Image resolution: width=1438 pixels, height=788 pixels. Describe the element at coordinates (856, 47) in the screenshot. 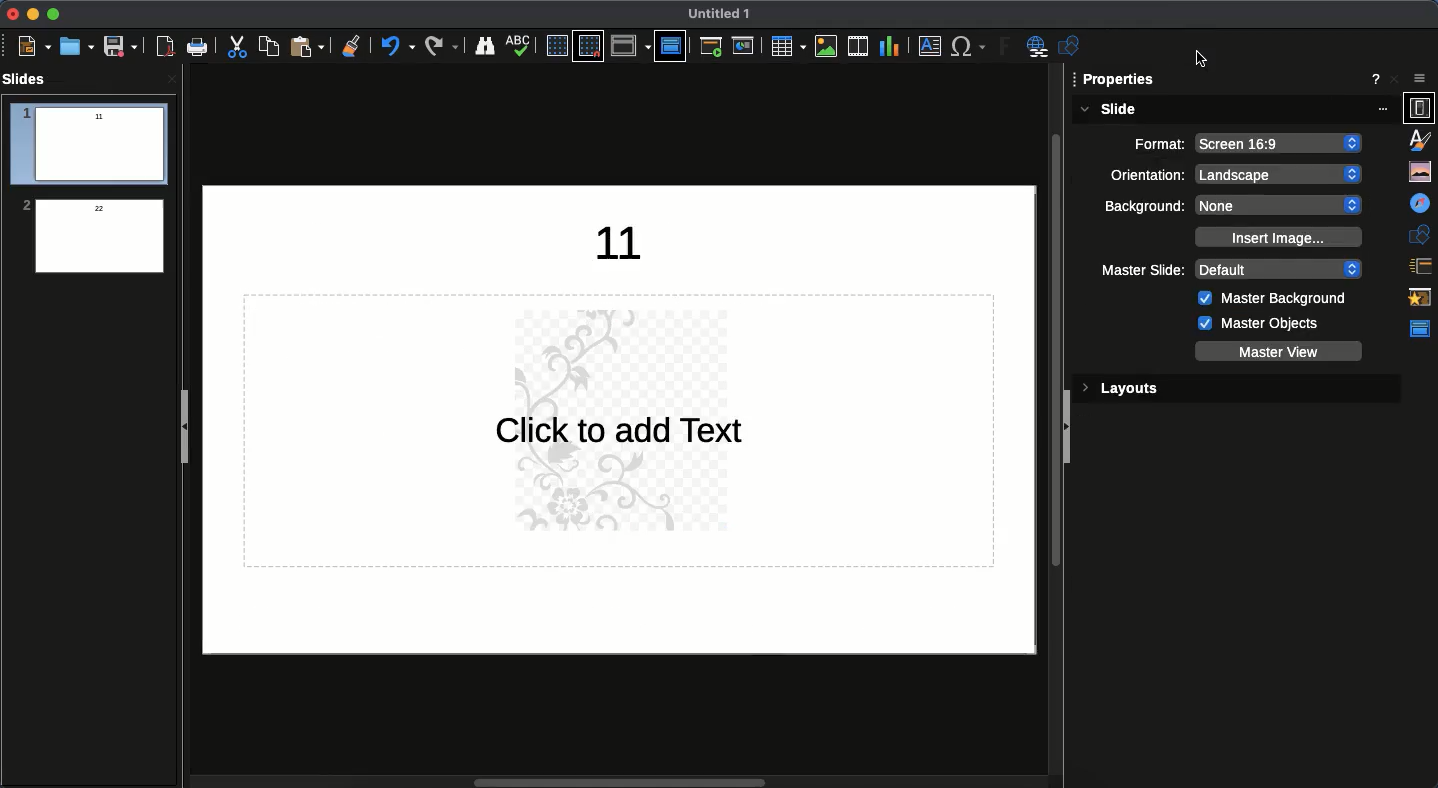

I see `Video audio` at that location.